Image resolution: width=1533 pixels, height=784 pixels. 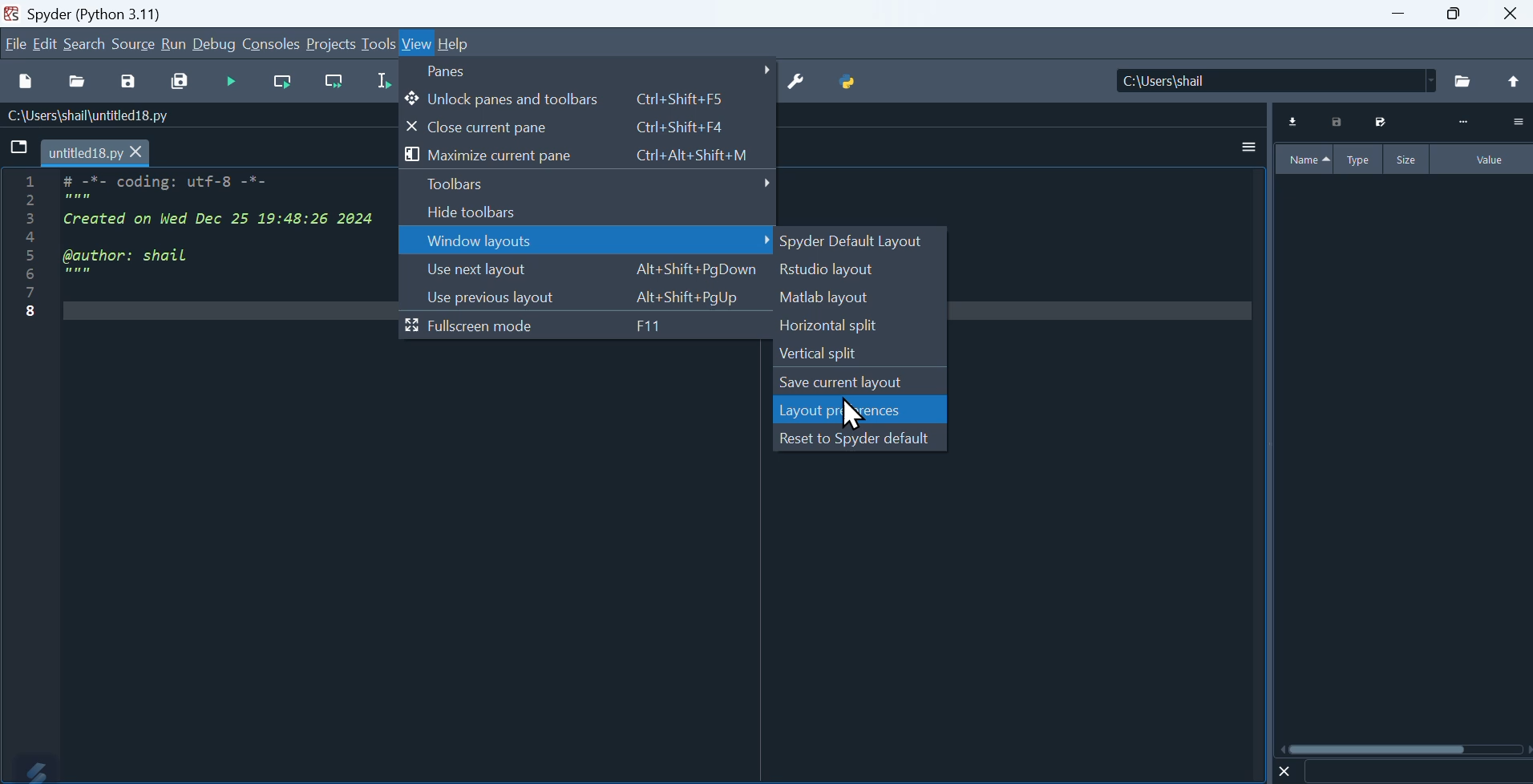 What do you see at coordinates (282, 83) in the screenshot?
I see `Run current cell` at bounding box center [282, 83].